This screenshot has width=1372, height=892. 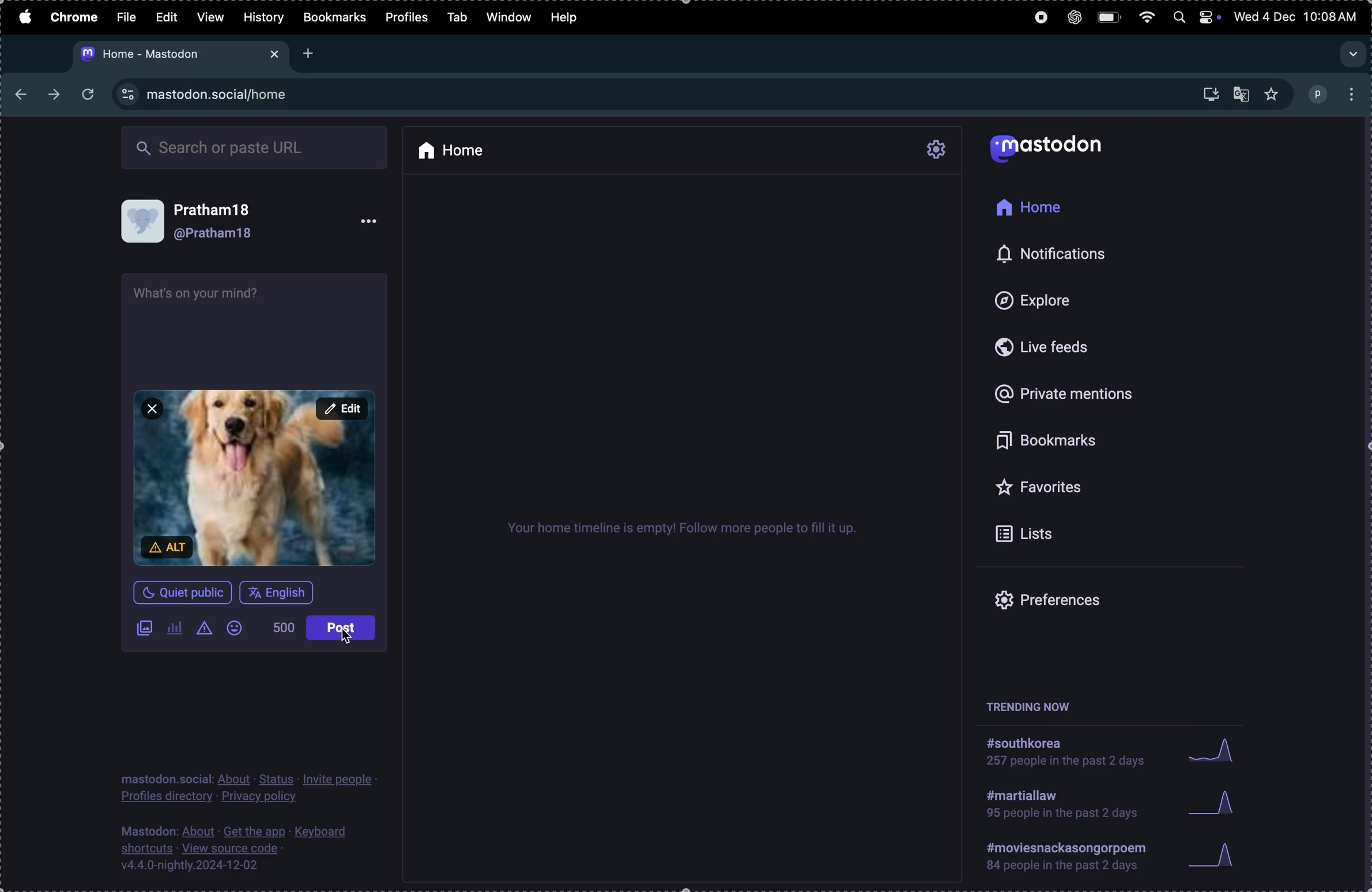 I want to click on graph, so click(x=1217, y=857).